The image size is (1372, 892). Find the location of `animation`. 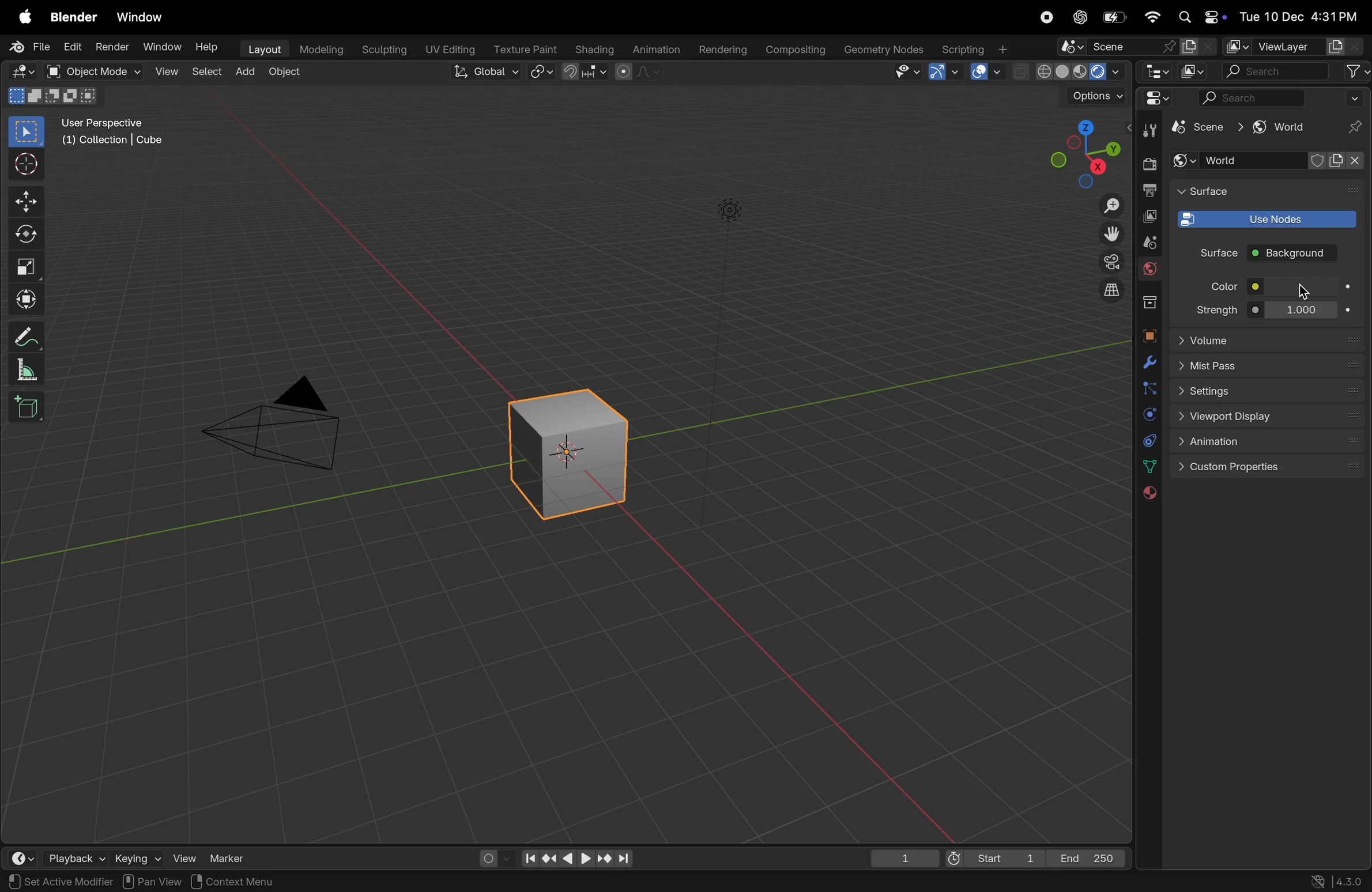

animation is located at coordinates (1272, 443).